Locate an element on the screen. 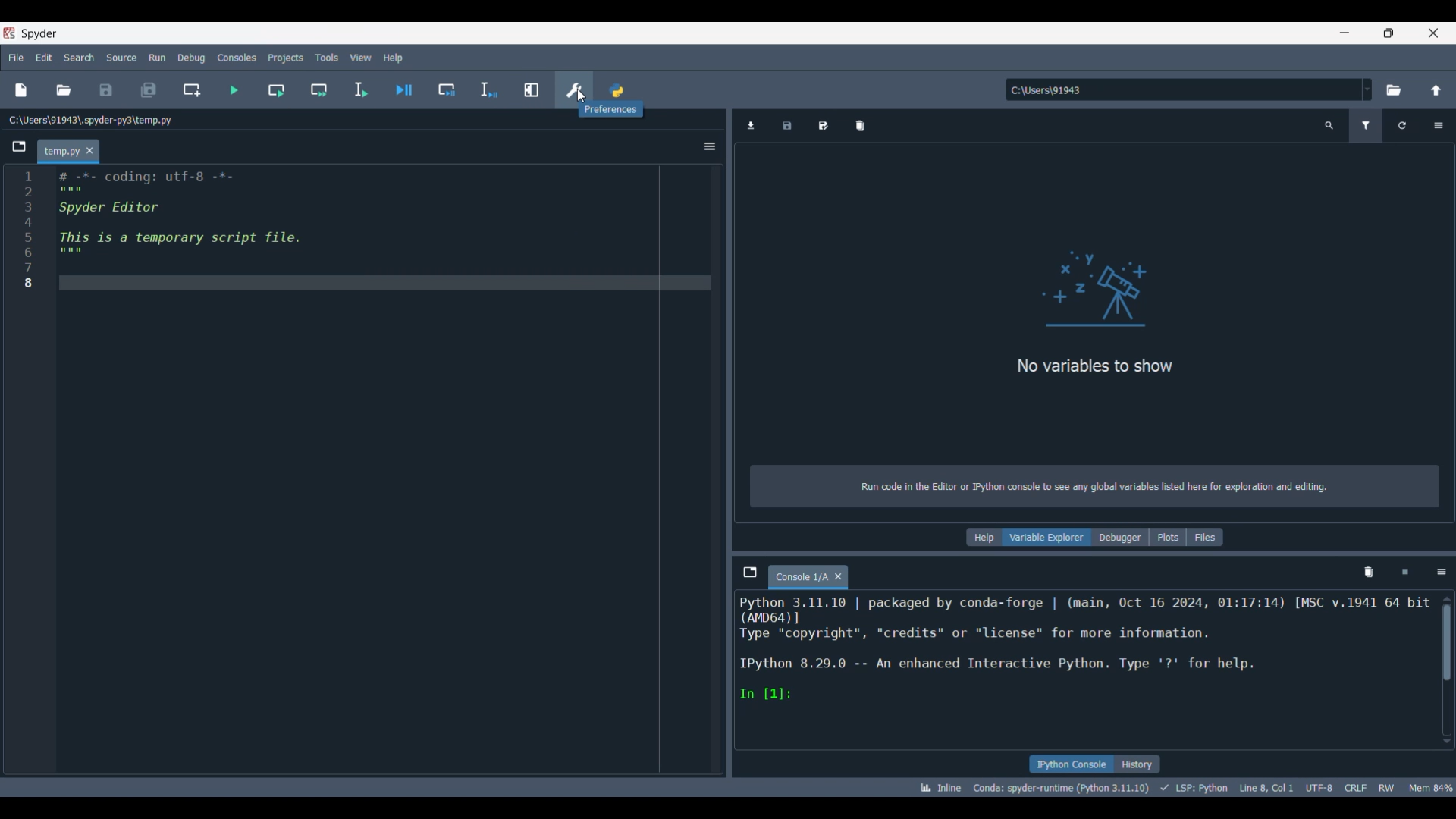 This screenshot has height=819, width=1456. Debug cell is located at coordinates (447, 90).